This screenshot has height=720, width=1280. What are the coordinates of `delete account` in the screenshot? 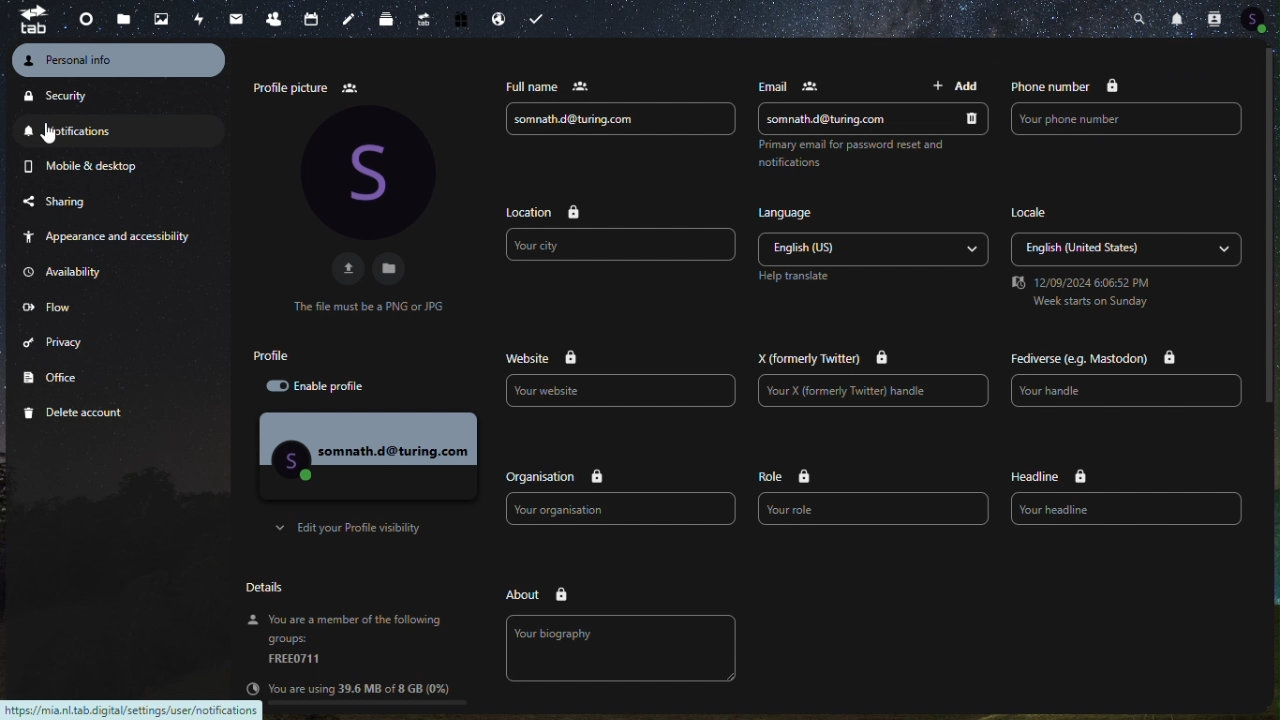 It's located at (90, 413).